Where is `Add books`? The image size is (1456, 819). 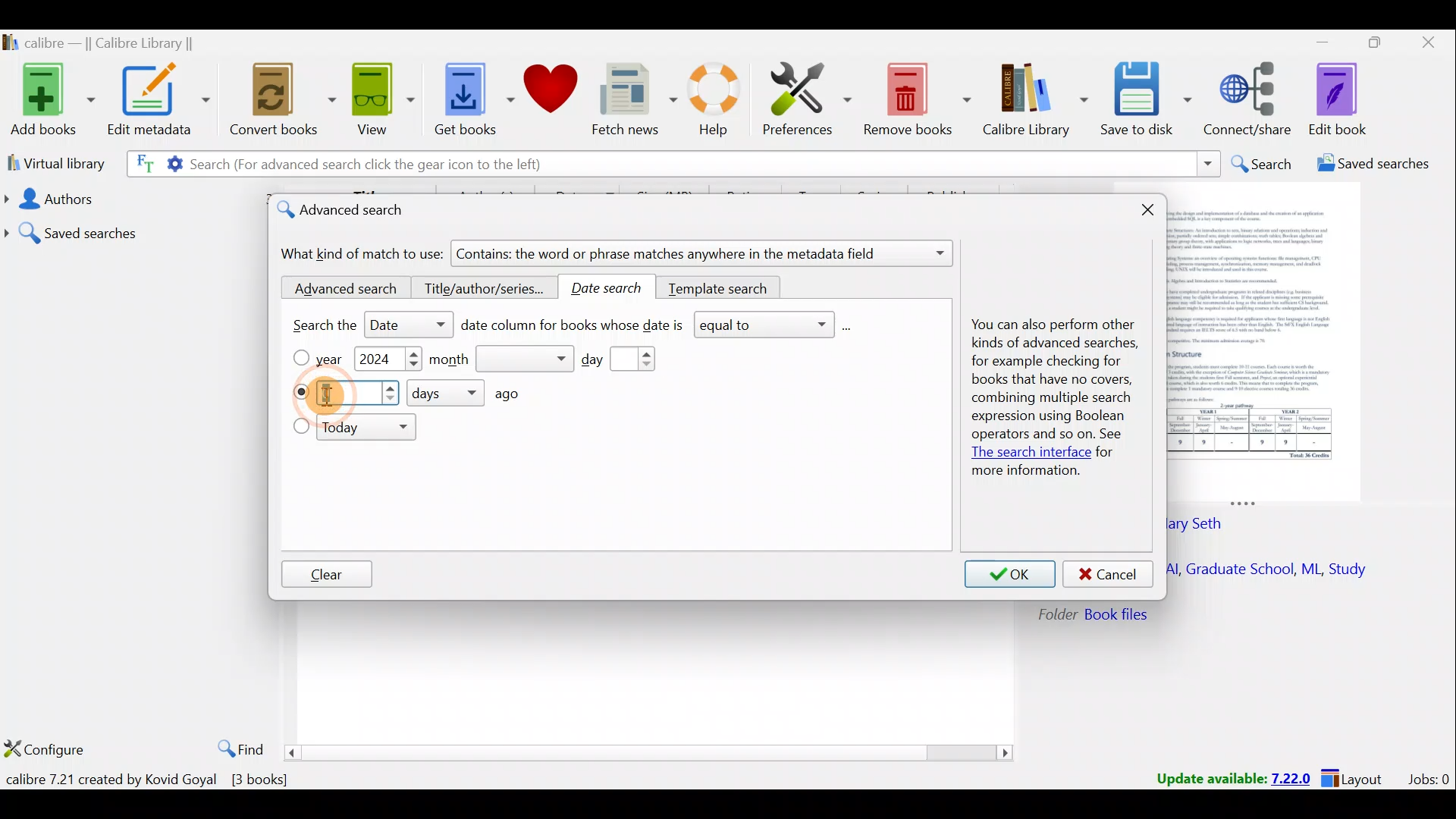 Add books is located at coordinates (49, 97).